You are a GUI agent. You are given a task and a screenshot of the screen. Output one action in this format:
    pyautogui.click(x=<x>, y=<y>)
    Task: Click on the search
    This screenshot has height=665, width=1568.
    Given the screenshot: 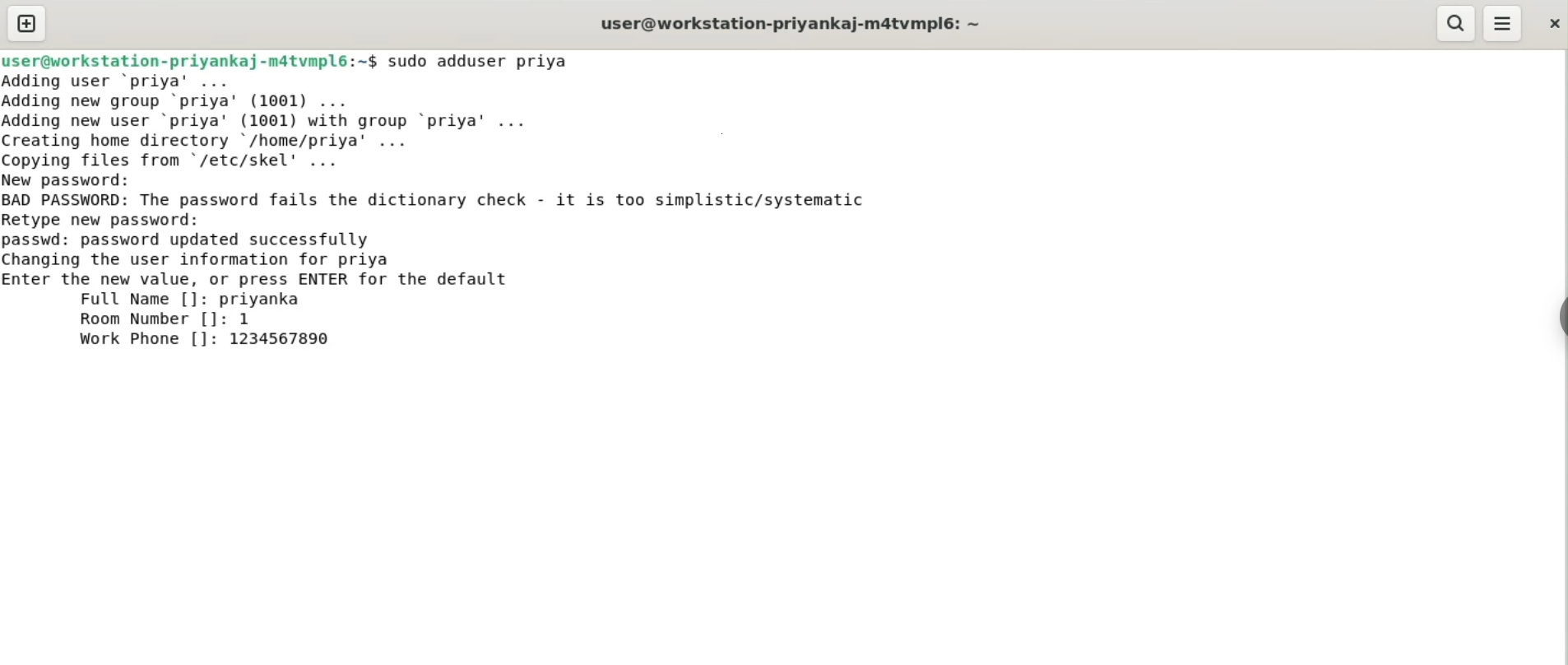 What is the action you would take?
    pyautogui.click(x=1454, y=23)
    